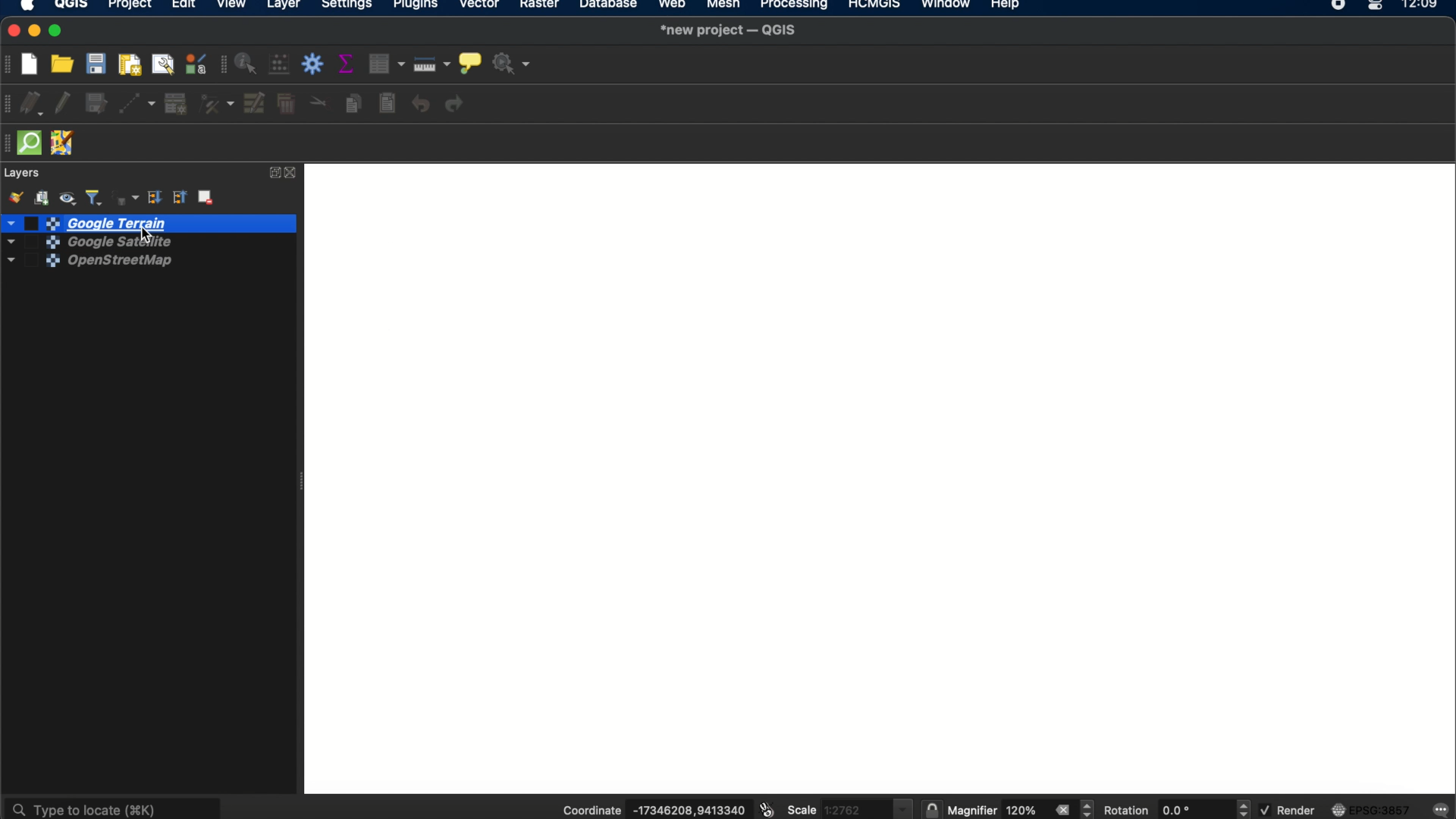 This screenshot has height=819, width=1456. Describe the element at coordinates (1442, 808) in the screenshot. I see `messages` at that location.